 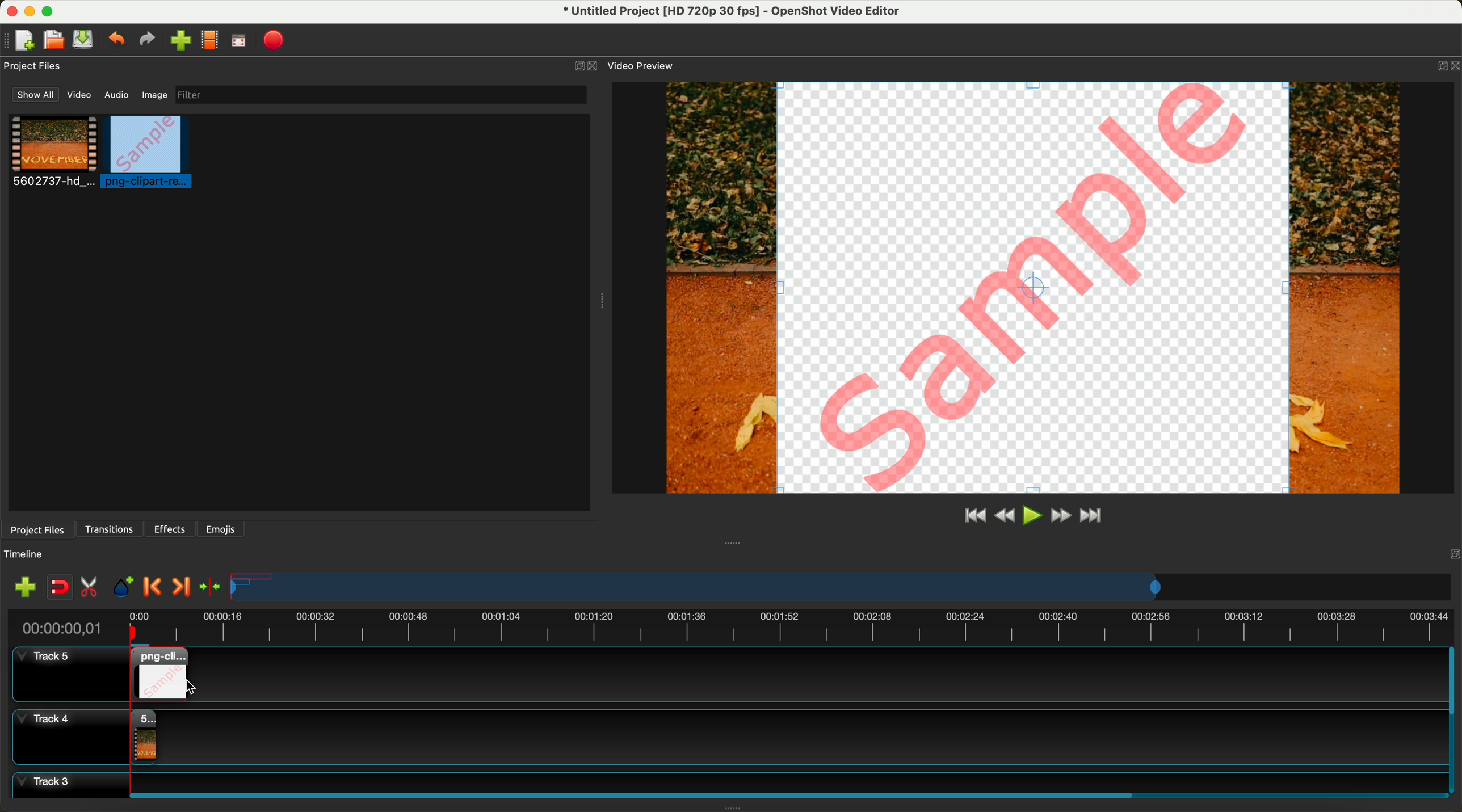 What do you see at coordinates (166, 673) in the screenshot?
I see `drag image on track 5` at bounding box center [166, 673].